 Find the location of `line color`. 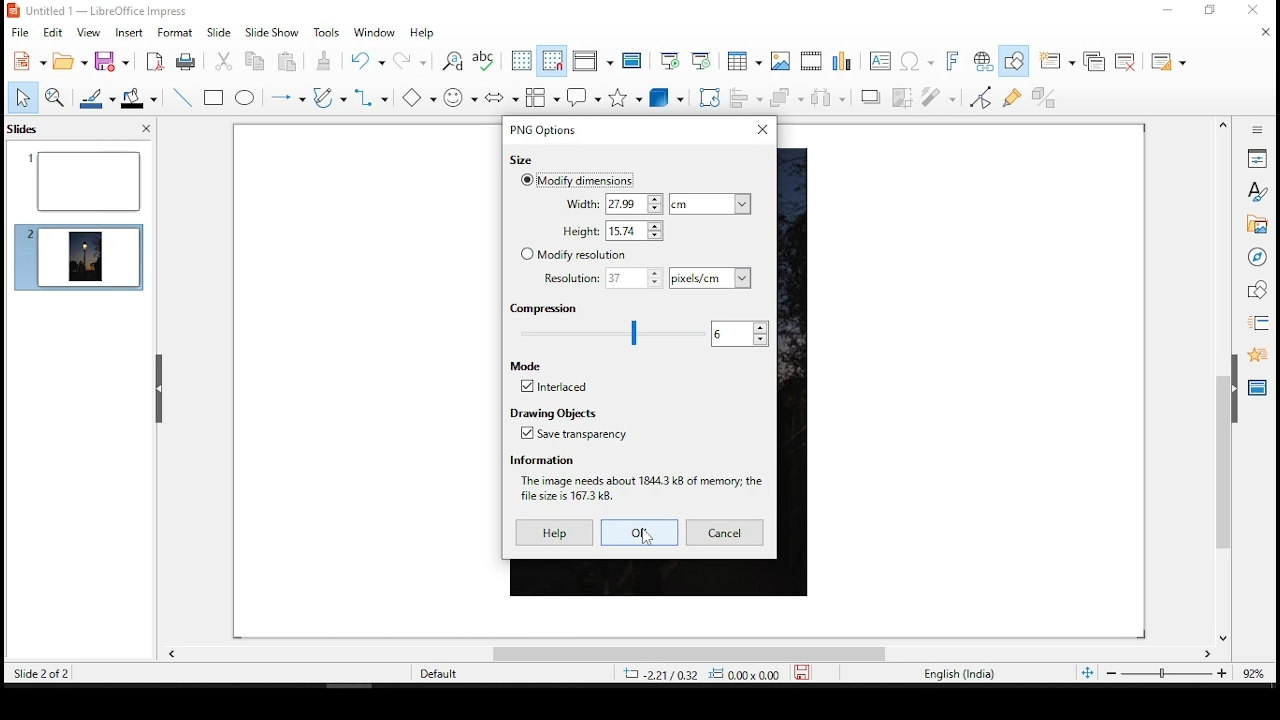

line color is located at coordinates (95, 98).